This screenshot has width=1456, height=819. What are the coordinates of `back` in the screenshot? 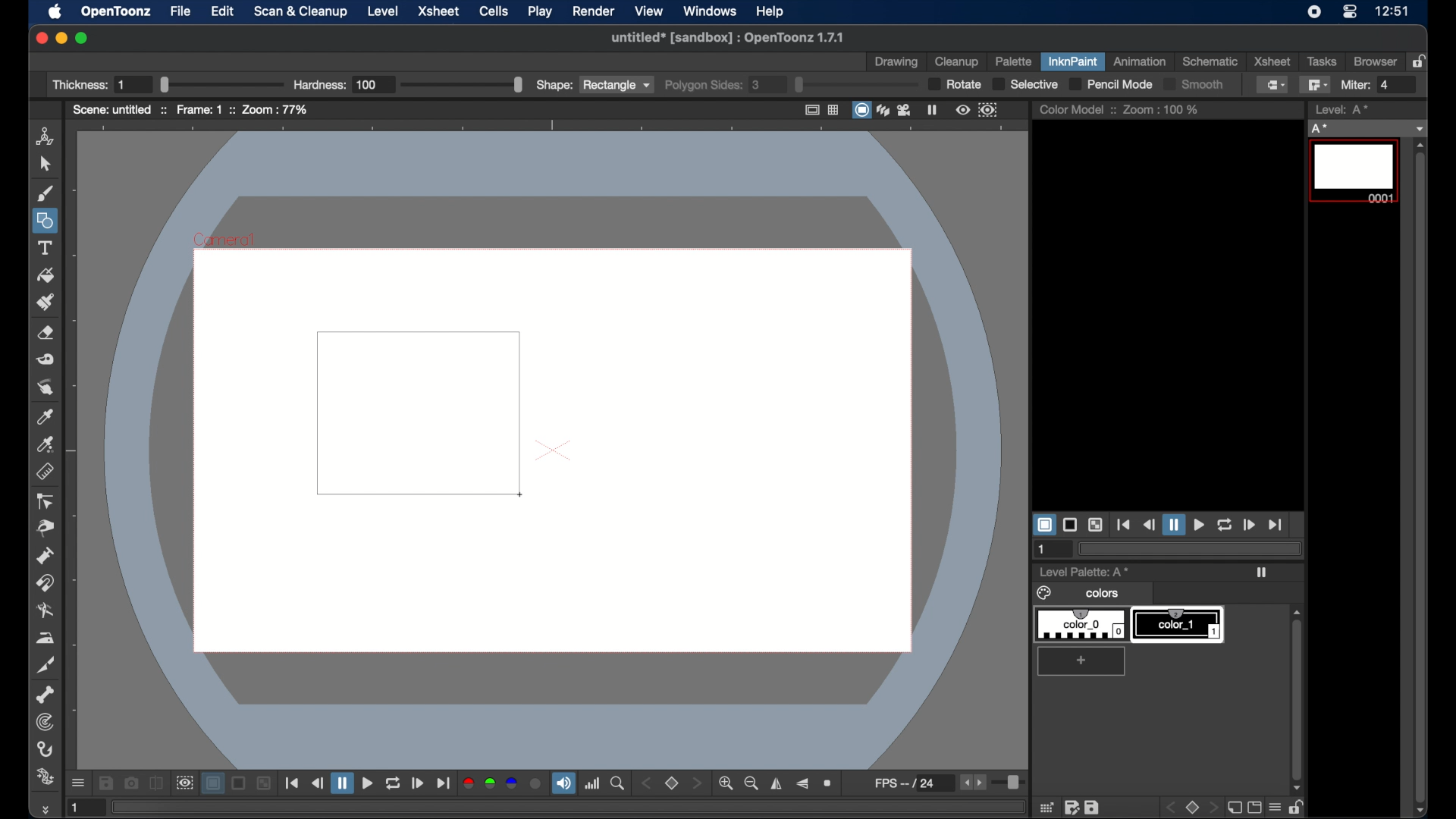 It's located at (1173, 808).